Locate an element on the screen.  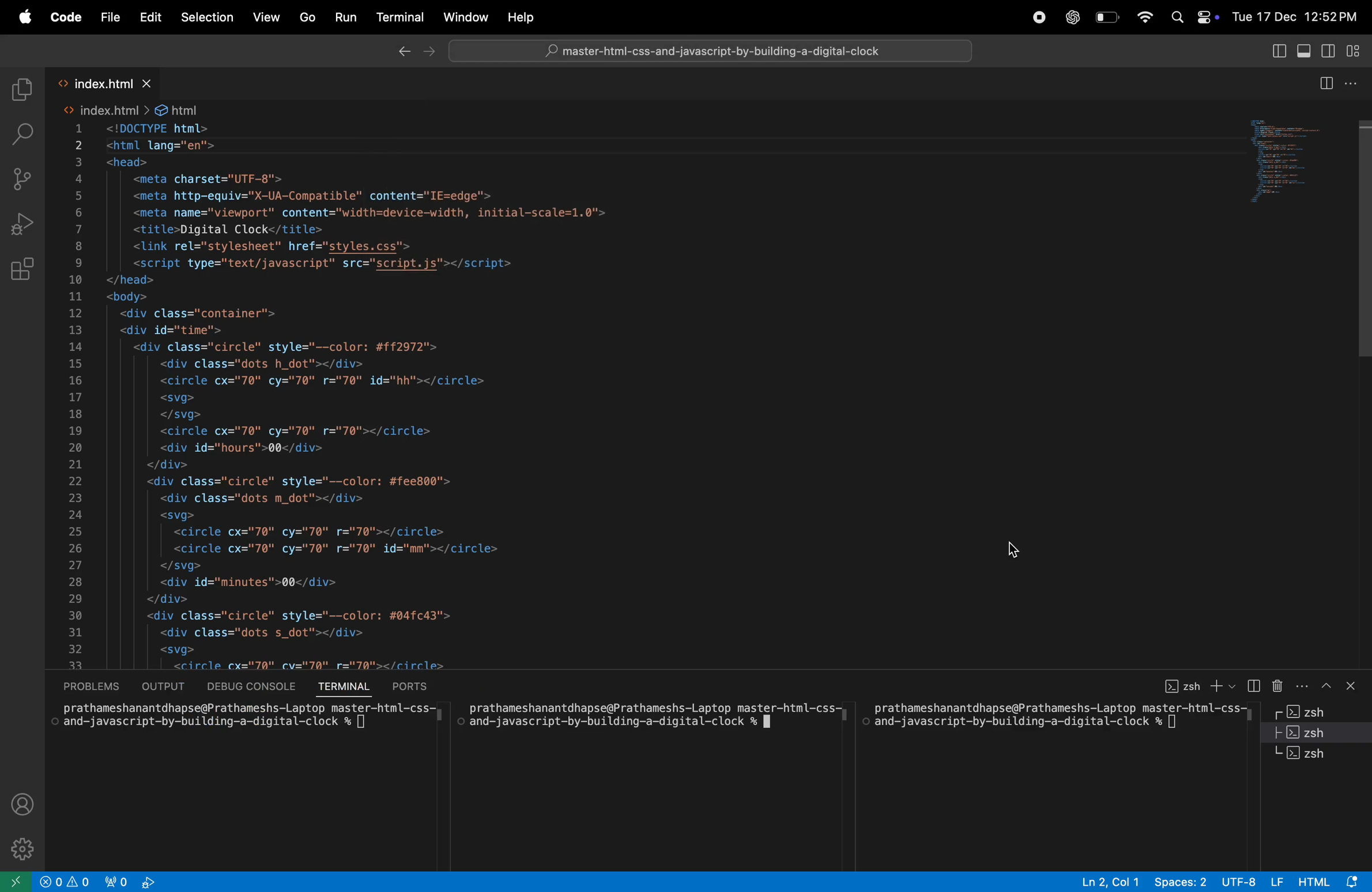
prathameshanantdhapse@Prathameshs-Laptop master-html-css-
and-javascript-by-building-a-digital-clock % JI is located at coordinates (652, 715).